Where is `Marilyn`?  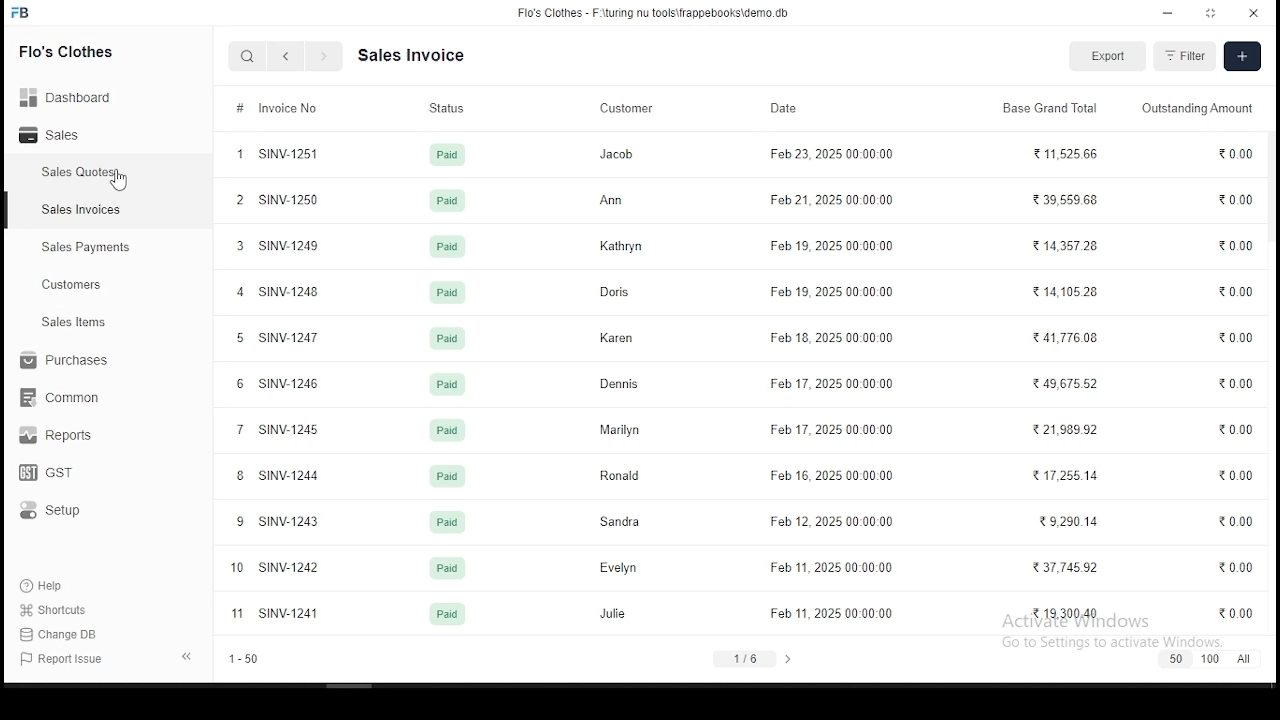 Marilyn is located at coordinates (625, 430).